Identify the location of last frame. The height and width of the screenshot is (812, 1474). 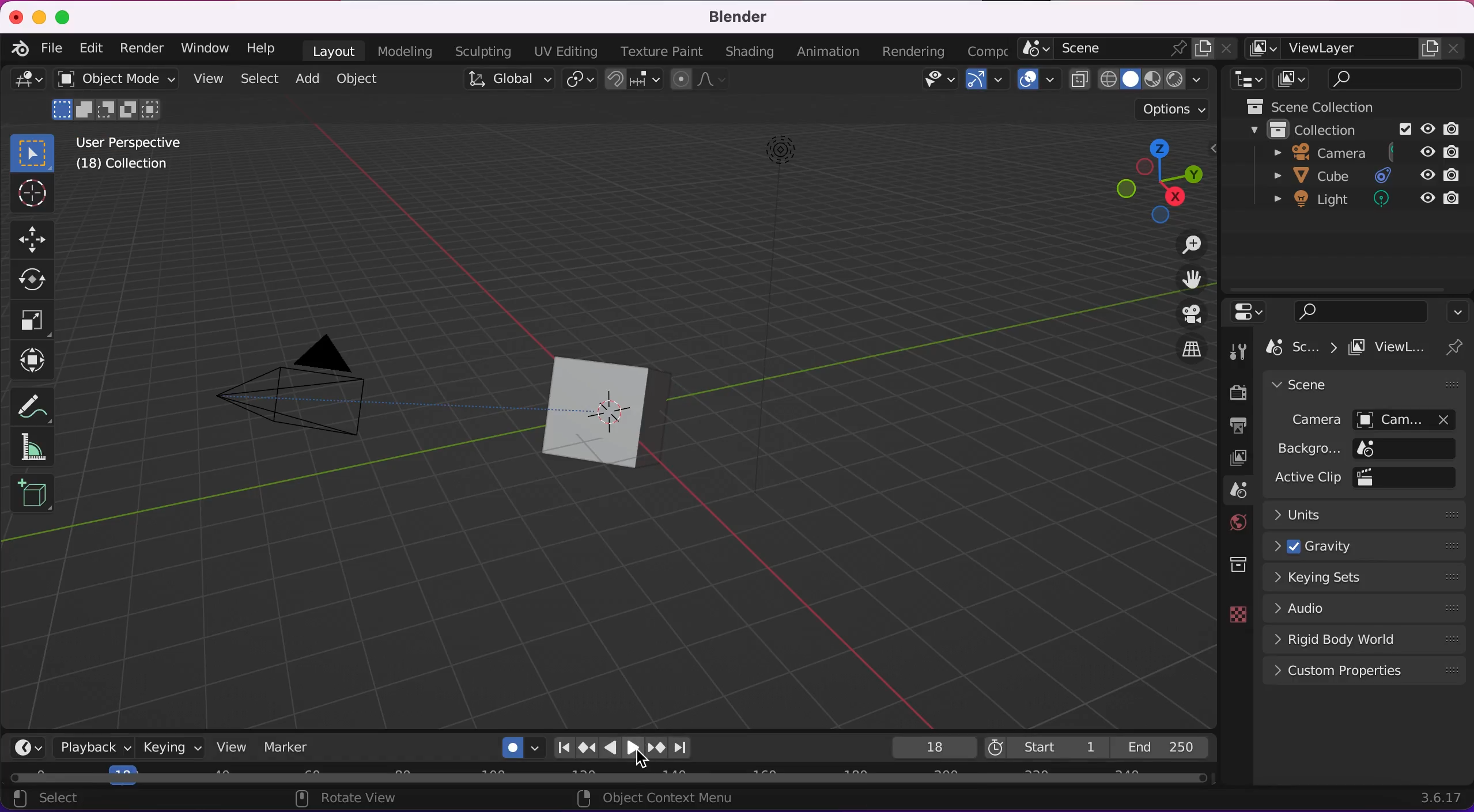
(1165, 747).